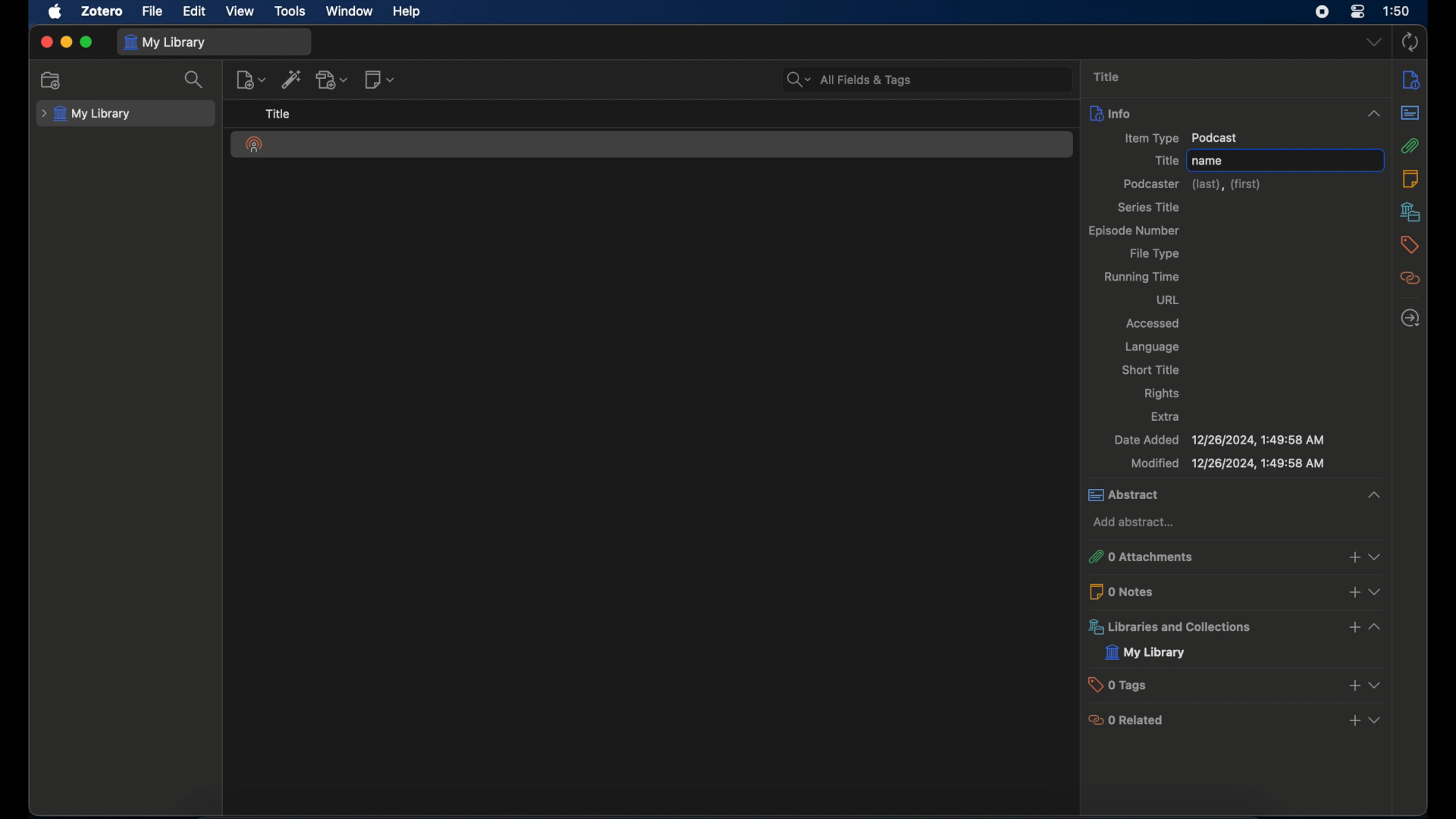 The width and height of the screenshot is (1456, 819). I want to click on tags, so click(1410, 245).